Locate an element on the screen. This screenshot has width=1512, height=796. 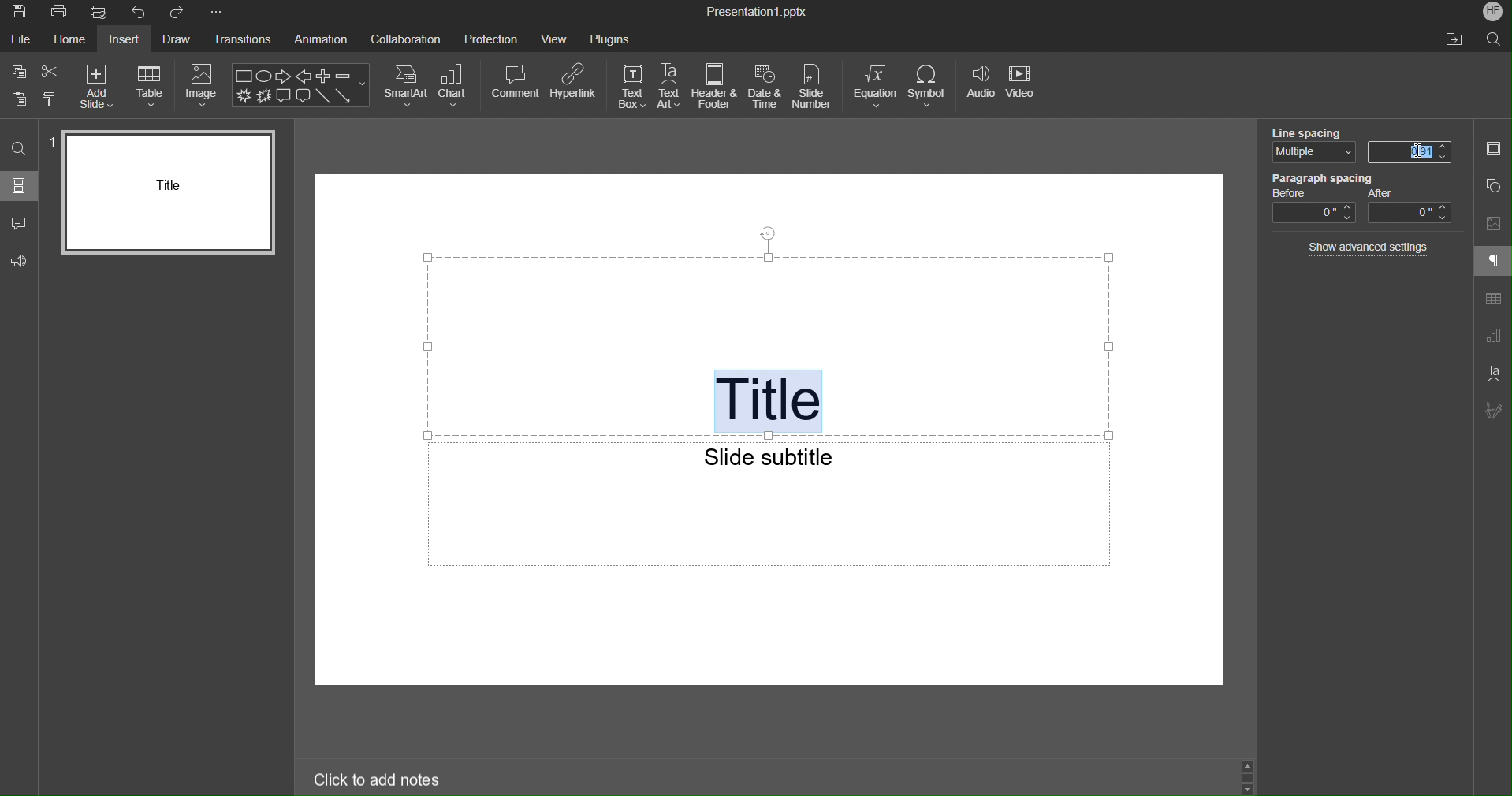
Line Spacing  is located at coordinates (1309, 131).